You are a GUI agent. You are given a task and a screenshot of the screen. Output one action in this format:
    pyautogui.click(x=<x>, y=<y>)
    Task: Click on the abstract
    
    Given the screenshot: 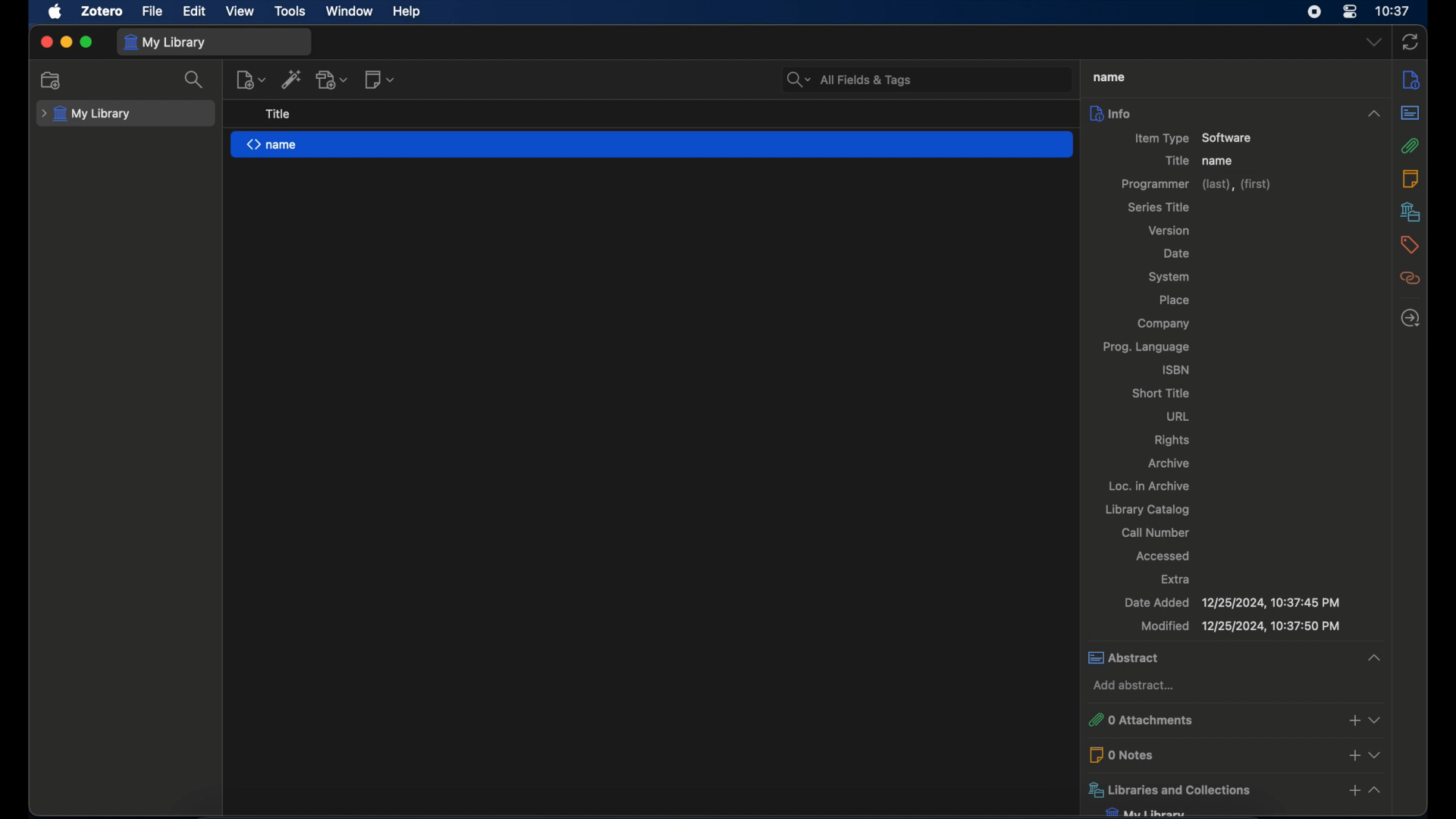 What is the action you would take?
    pyautogui.click(x=1214, y=657)
    